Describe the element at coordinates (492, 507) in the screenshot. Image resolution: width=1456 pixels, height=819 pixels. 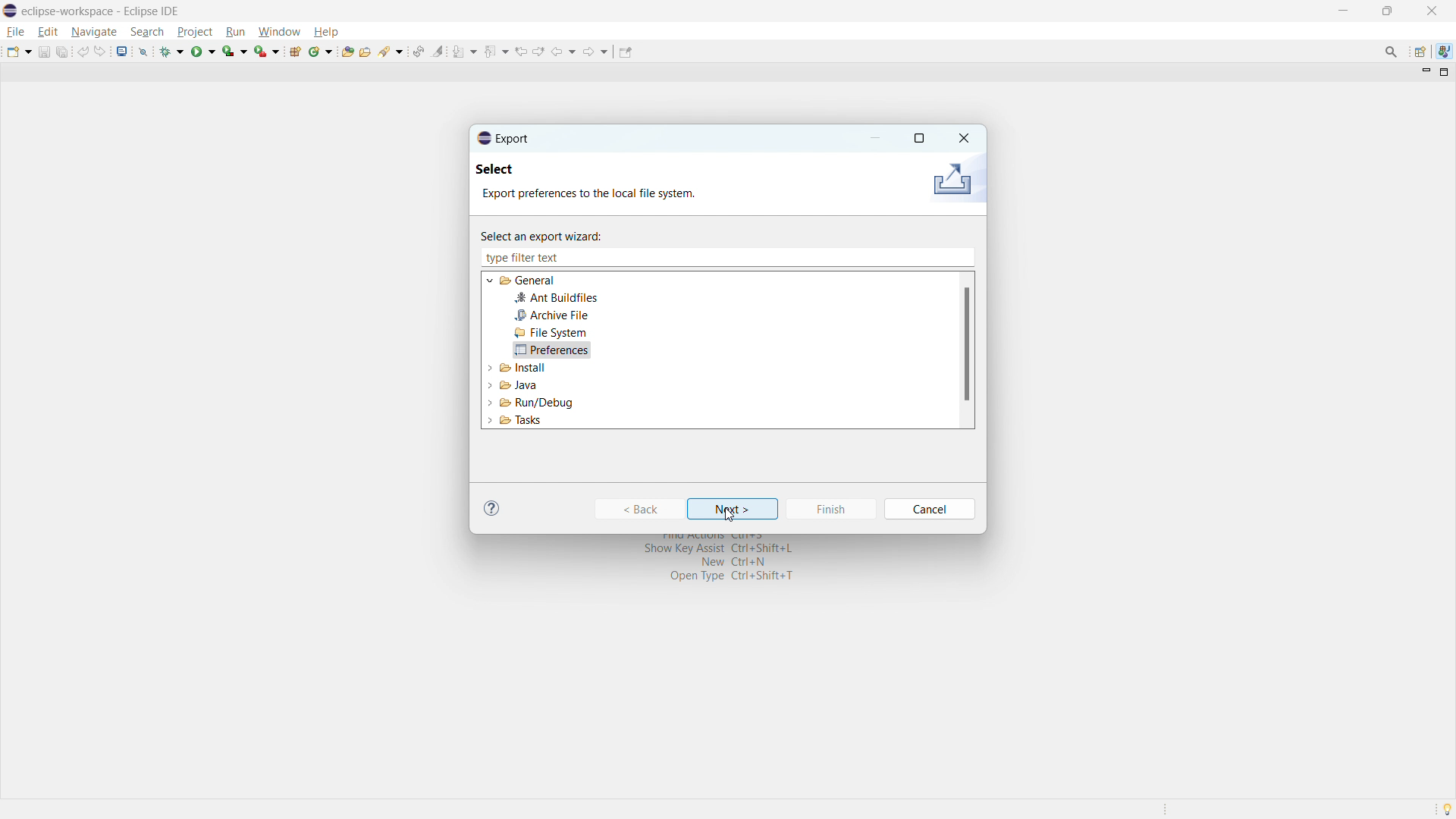
I see `help` at that location.